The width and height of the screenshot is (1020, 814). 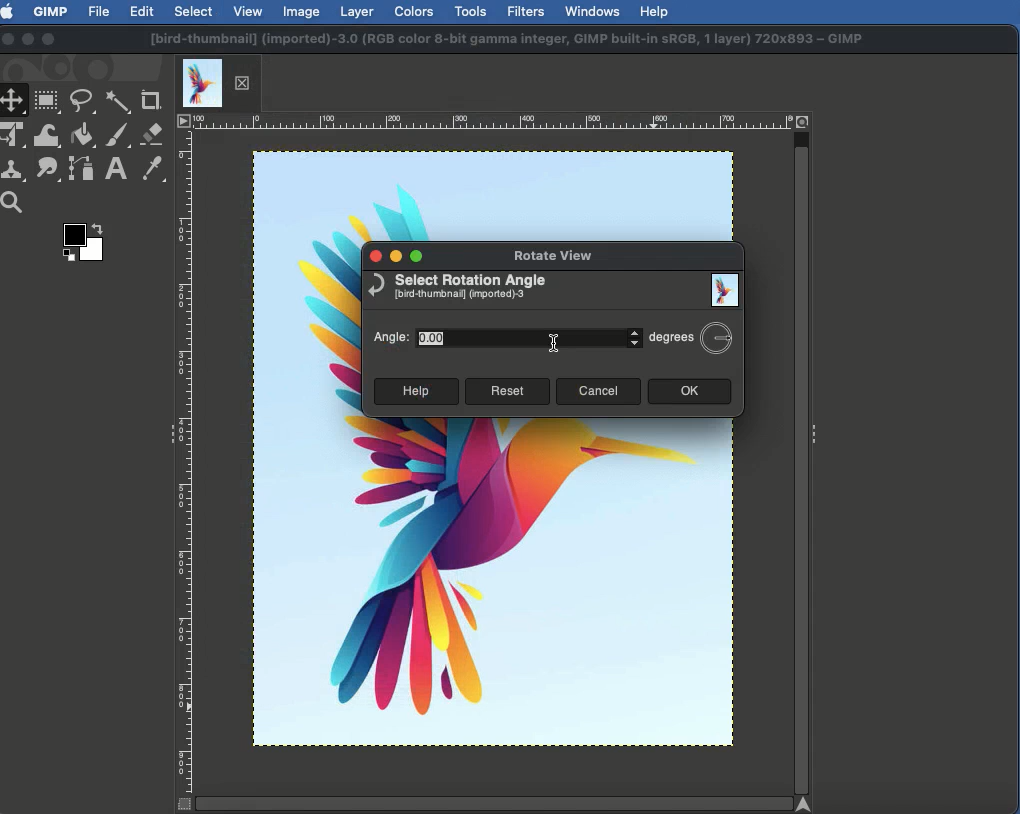 I want to click on text cursor, so click(x=554, y=348).